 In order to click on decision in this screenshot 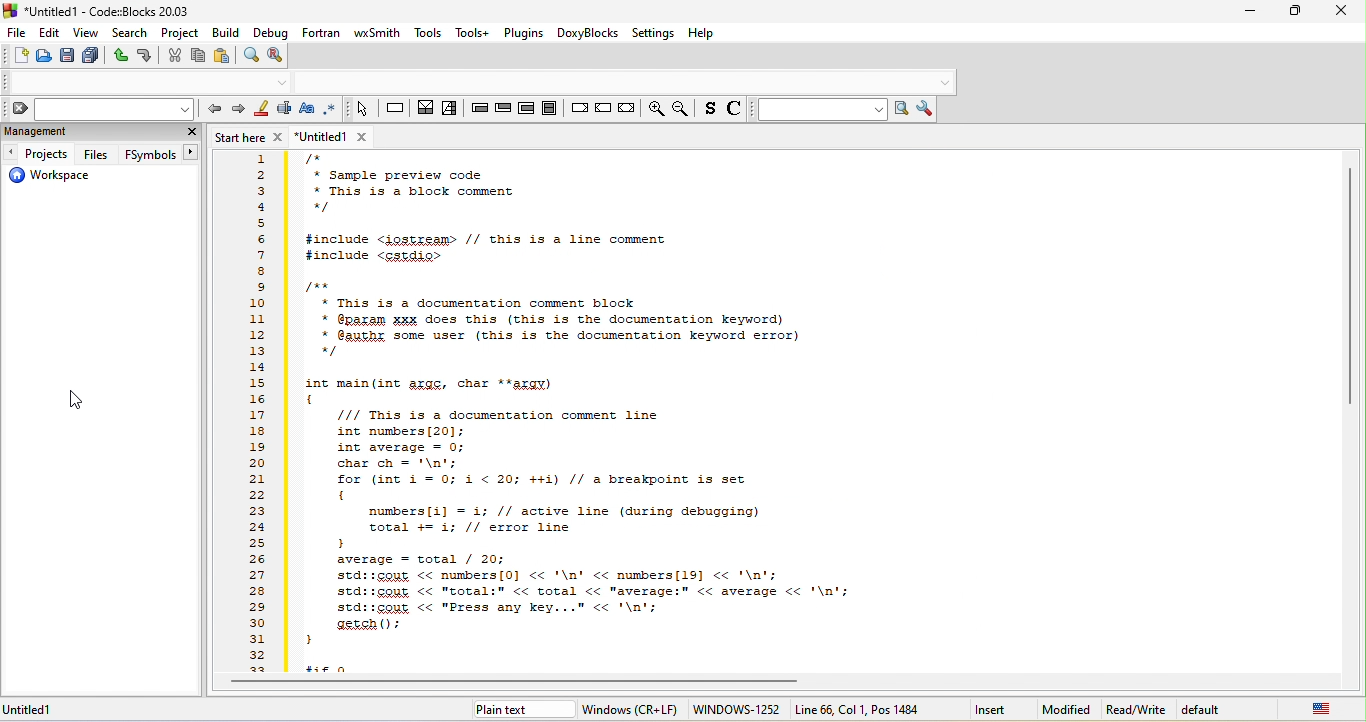, I will do `click(426, 111)`.